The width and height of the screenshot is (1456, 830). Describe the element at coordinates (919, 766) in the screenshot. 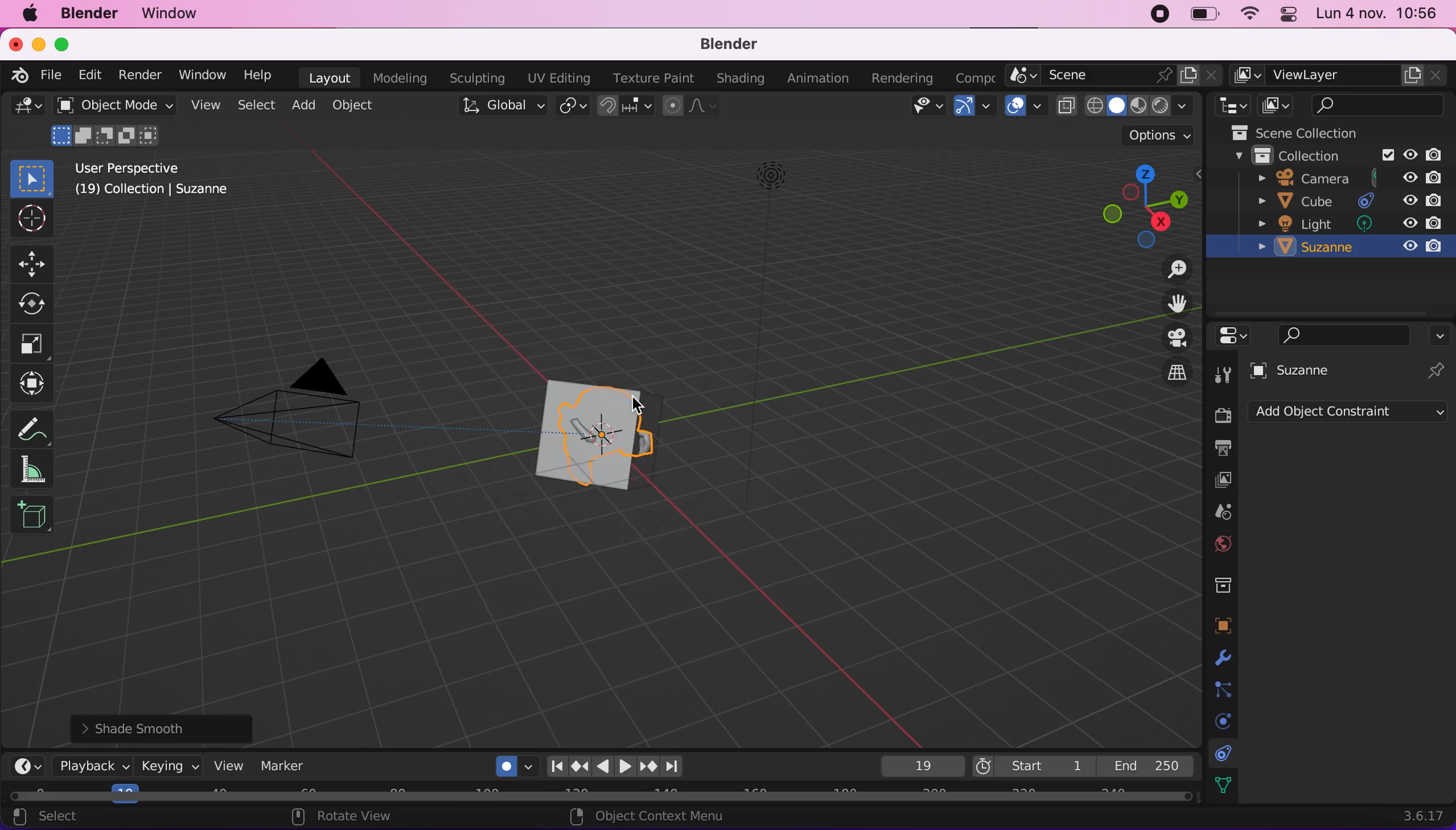

I see `current frame` at that location.